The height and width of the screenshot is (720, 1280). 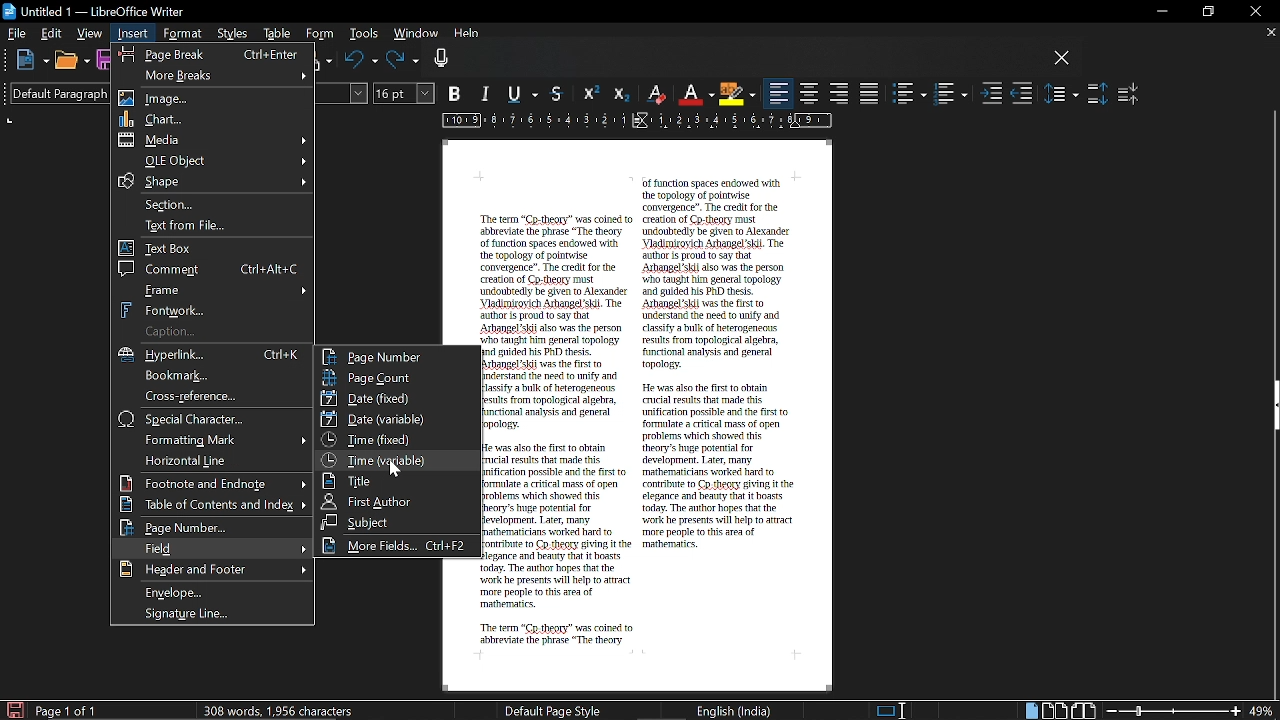 What do you see at coordinates (70, 711) in the screenshot?
I see `page 1 of 1` at bounding box center [70, 711].